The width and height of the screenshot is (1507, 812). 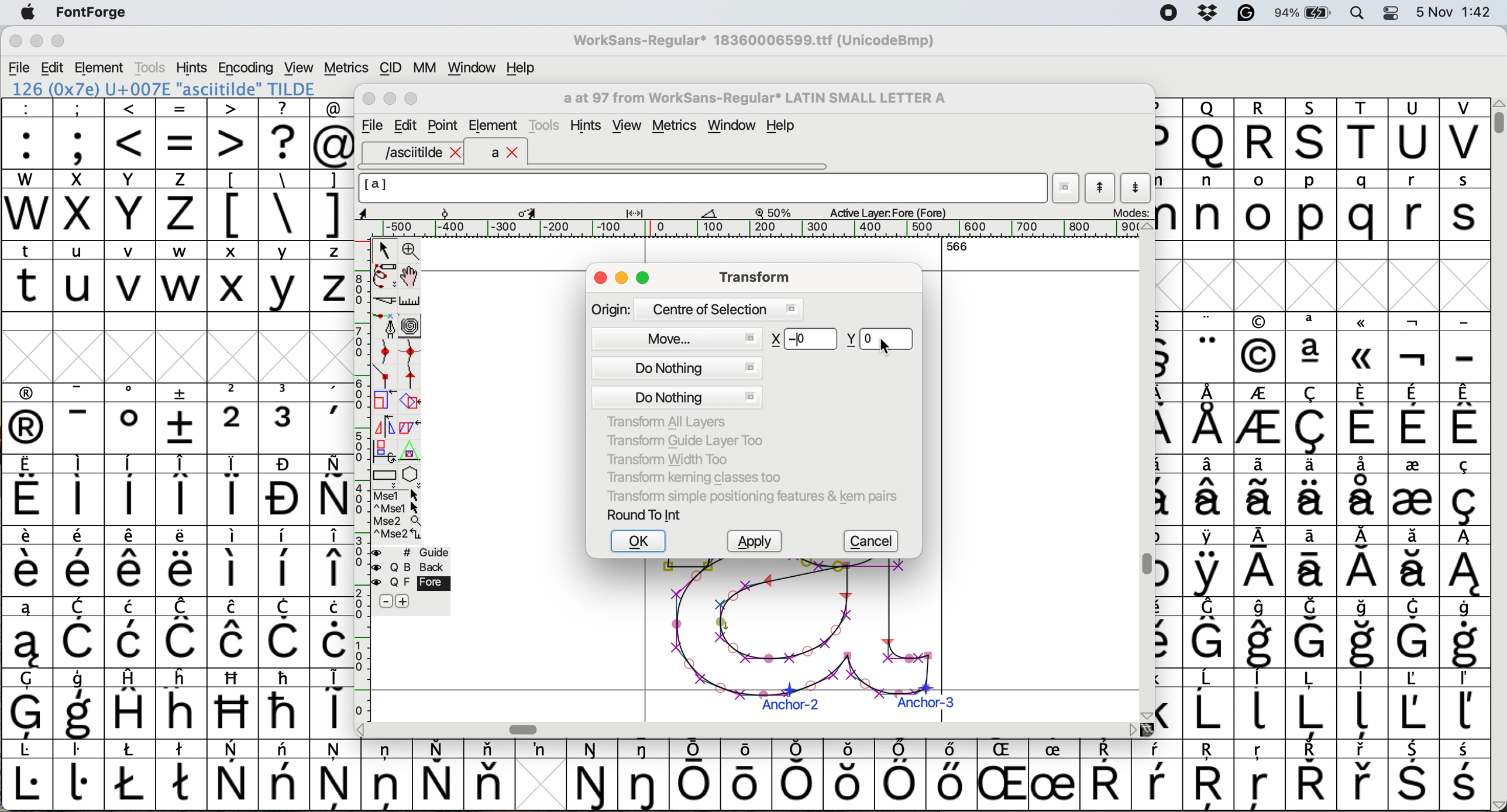 I want to click on symbol, so click(x=696, y=775).